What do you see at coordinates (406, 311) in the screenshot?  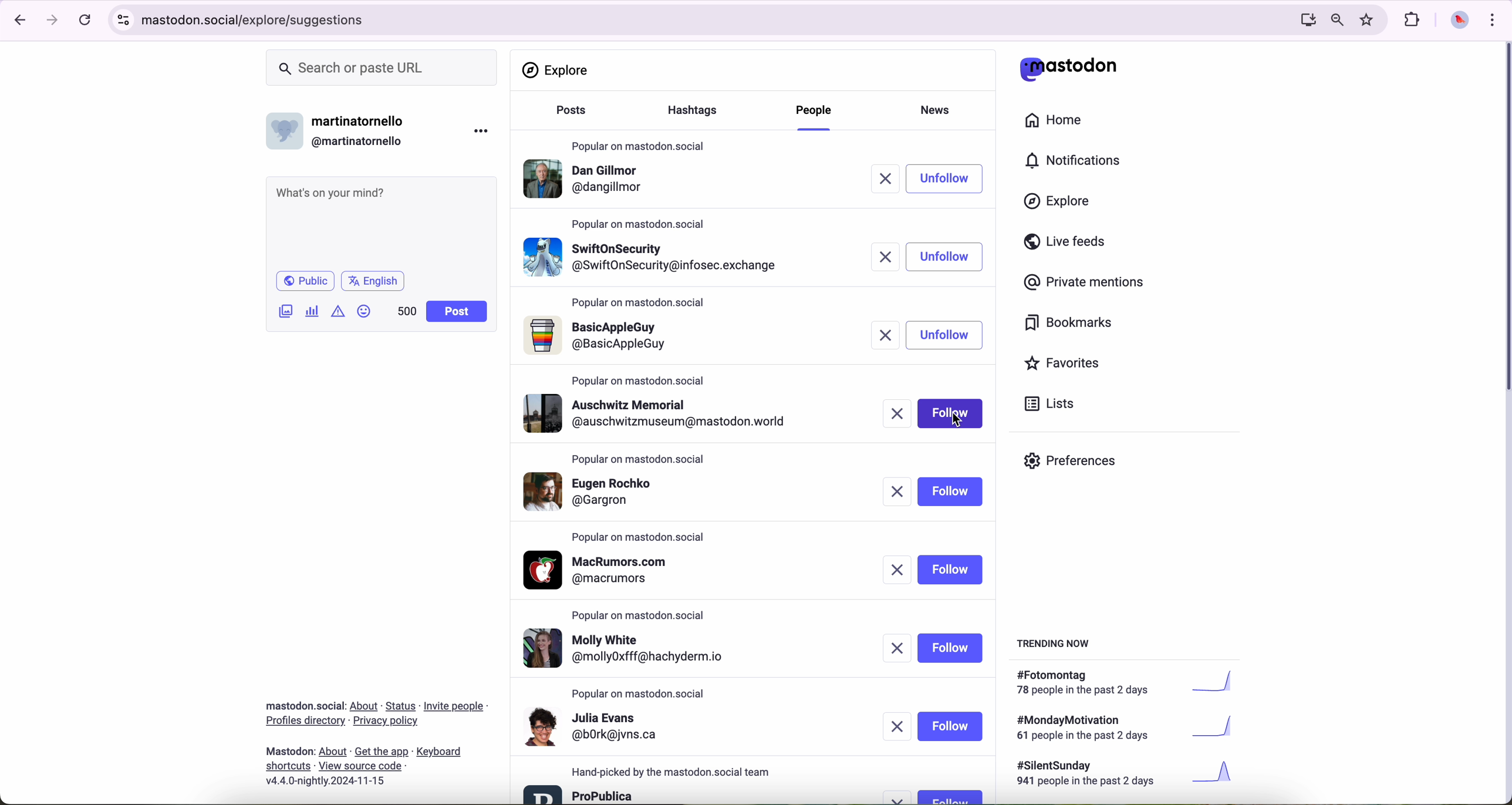 I see `500 characters` at bounding box center [406, 311].